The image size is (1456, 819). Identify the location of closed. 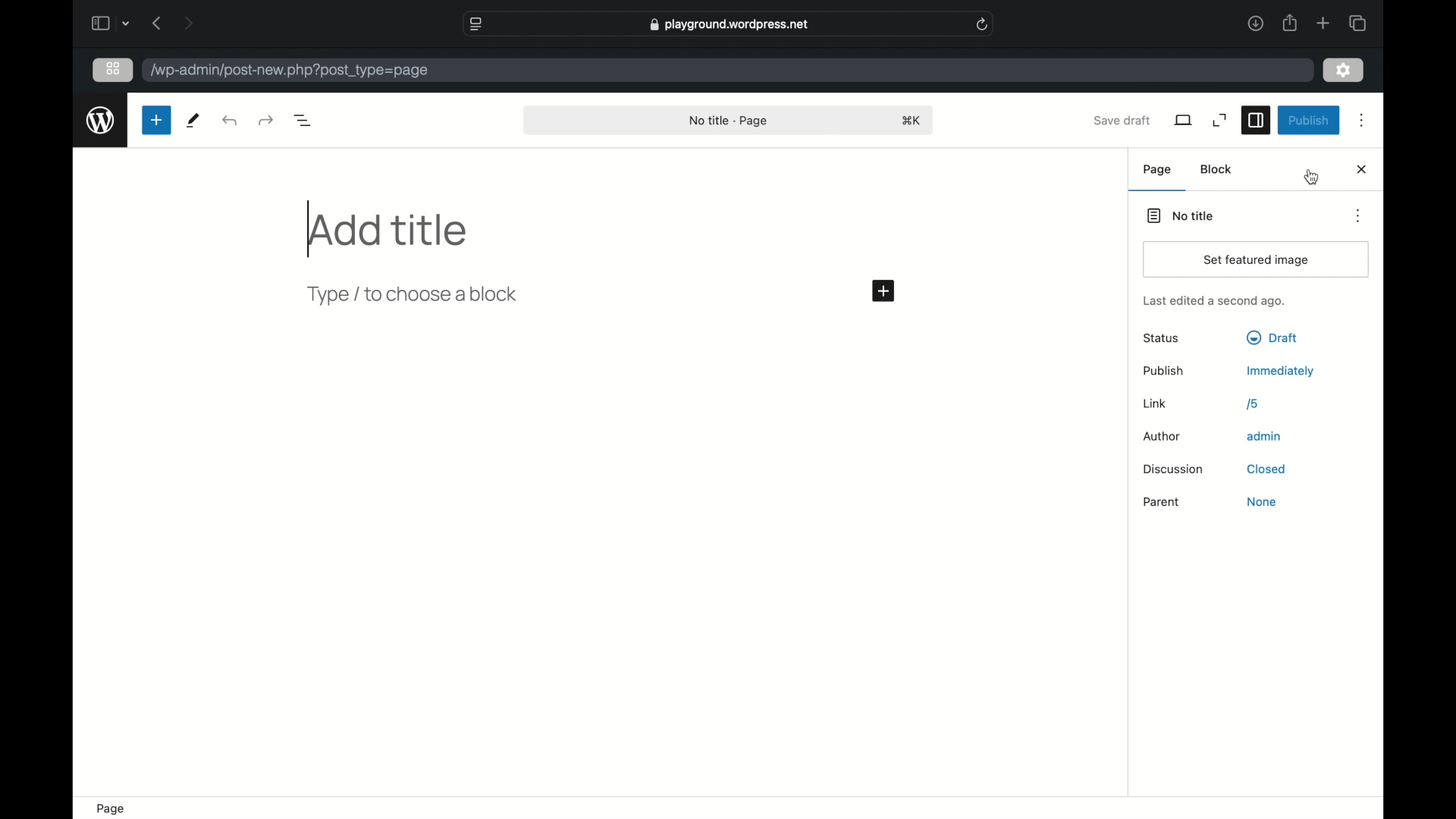
(1267, 469).